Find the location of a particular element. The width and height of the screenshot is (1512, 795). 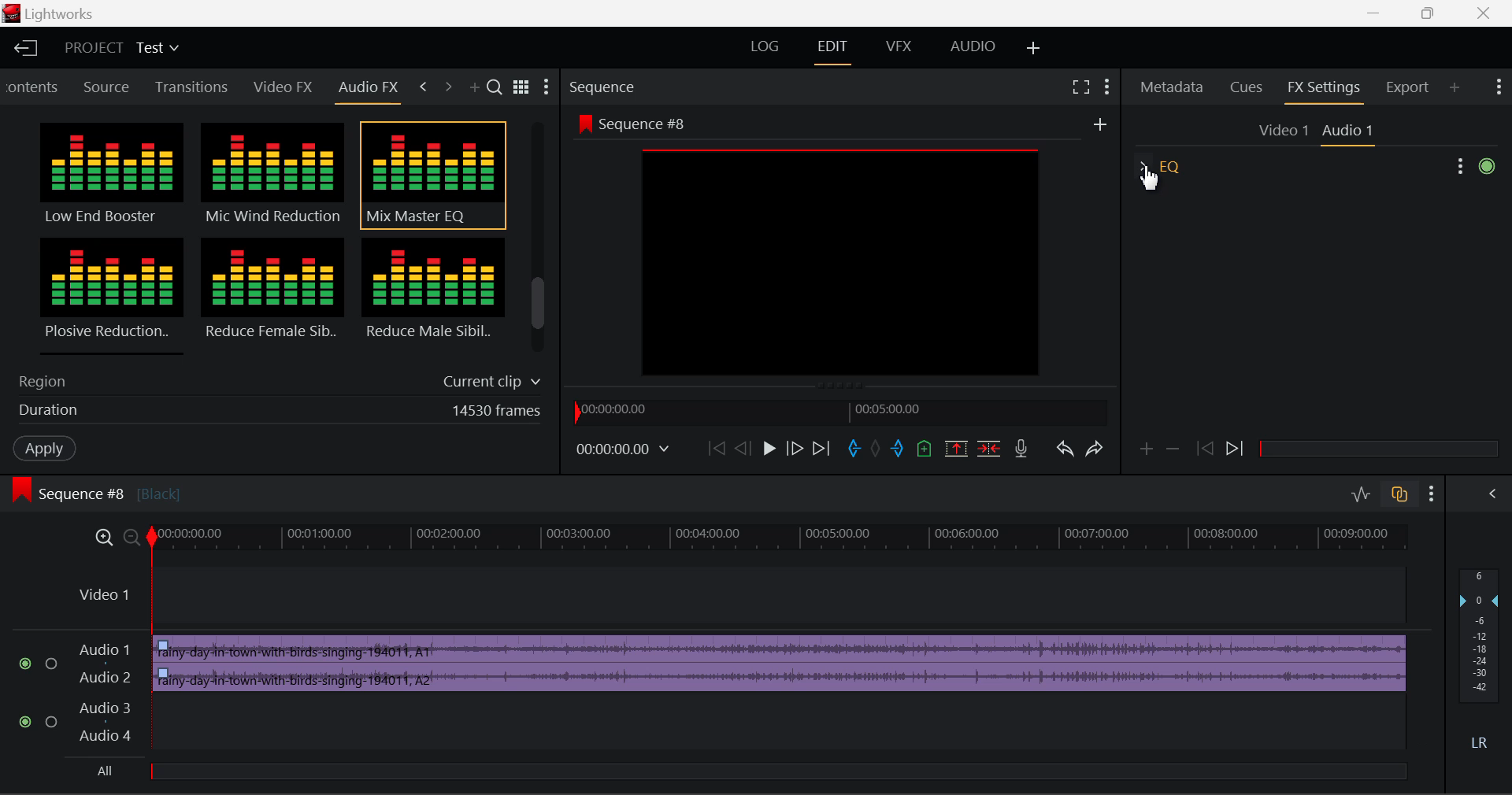

Add Panel is located at coordinates (1455, 89).